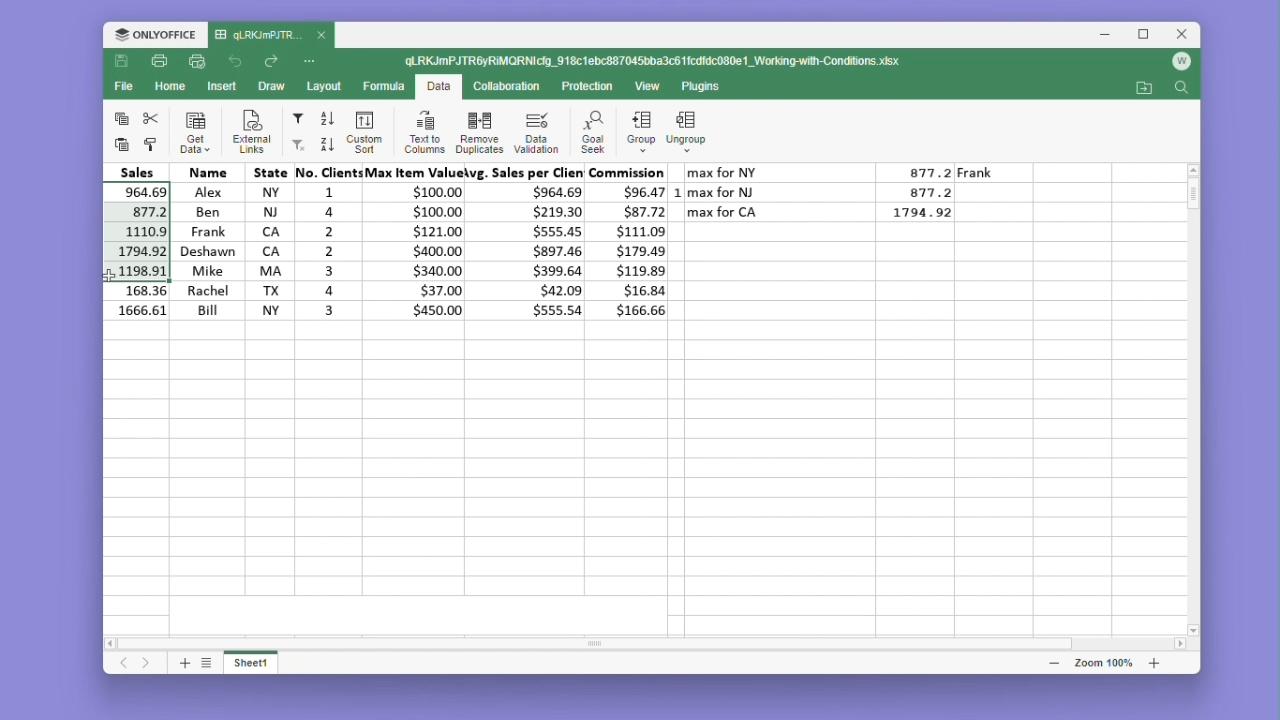 Image resolution: width=1280 pixels, height=720 pixels. Describe the element at coordinates (839, 198) in the screenshot. I see `Data table` at that location.